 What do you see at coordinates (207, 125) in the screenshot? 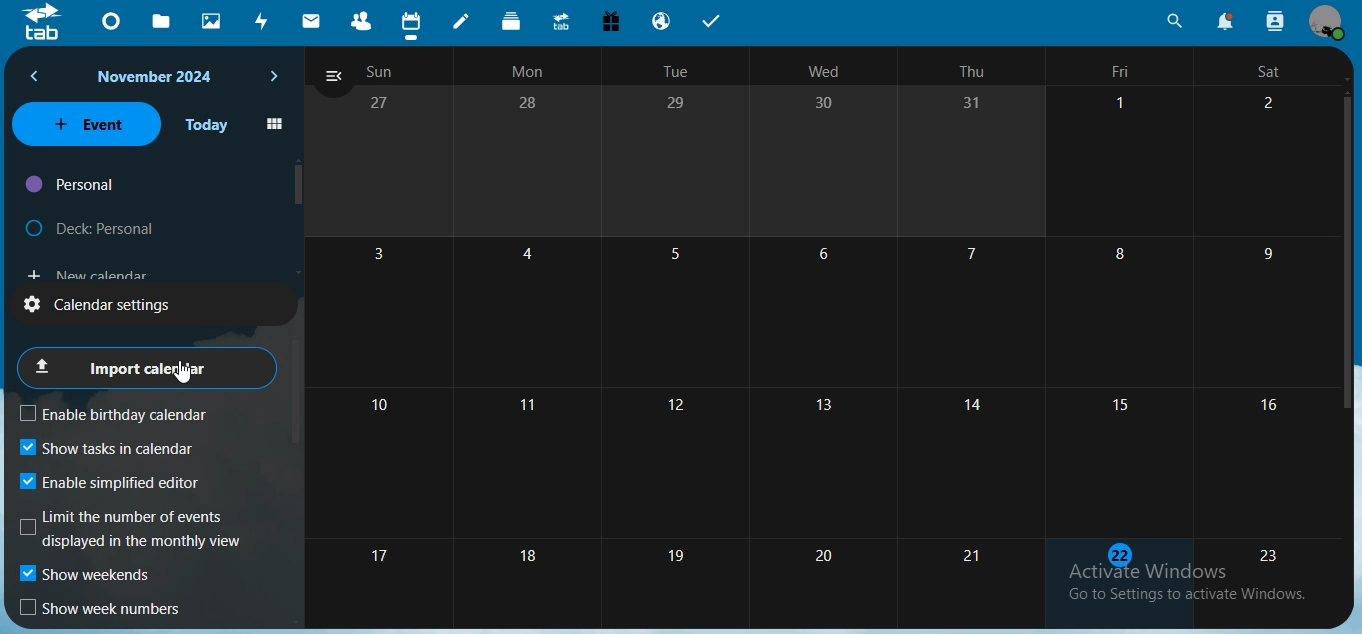
I see `today` at bounding box center [207, 125].